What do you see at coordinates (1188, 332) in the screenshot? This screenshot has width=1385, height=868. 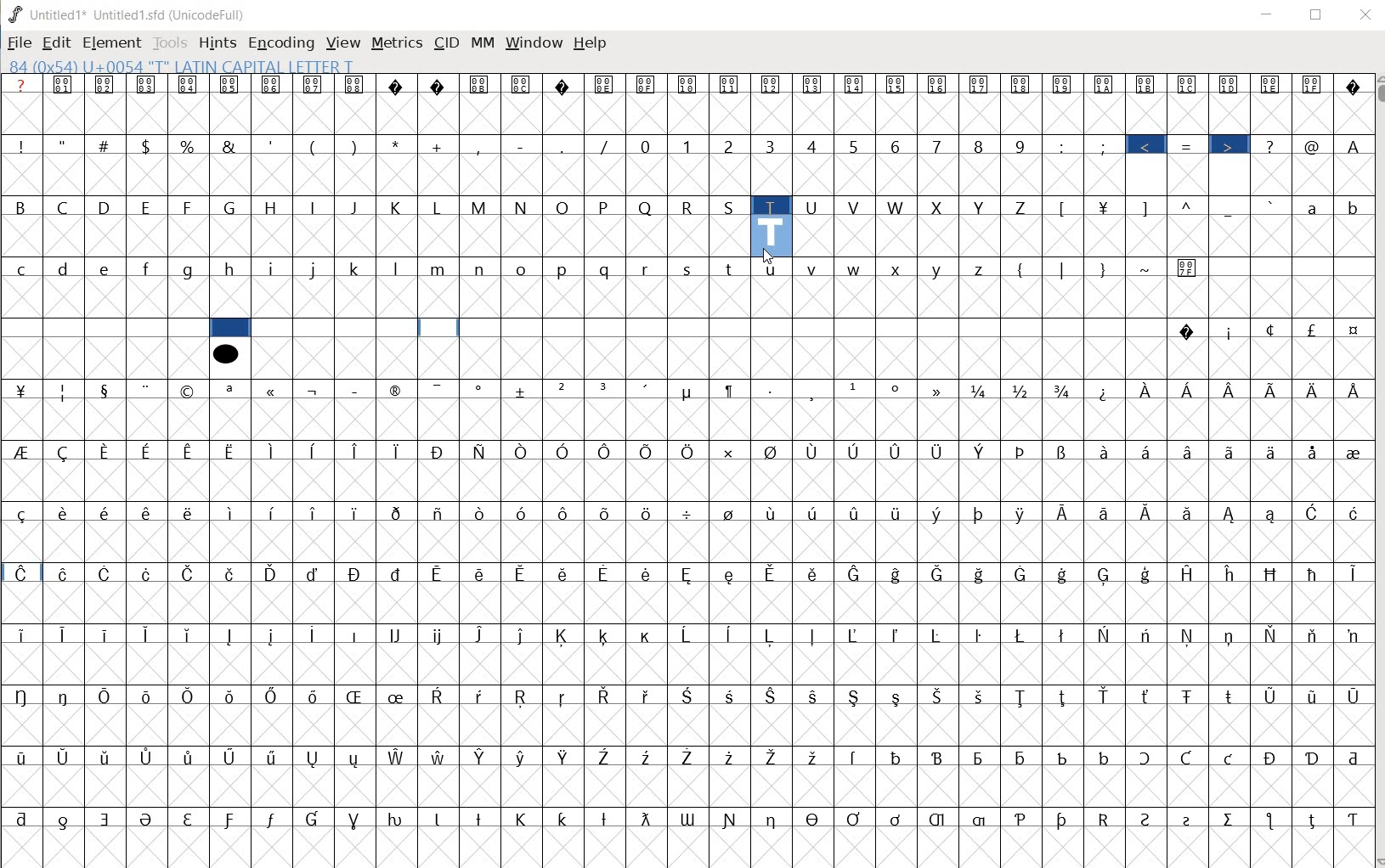 I see `Symbol` at bounding box center [1188, 332].